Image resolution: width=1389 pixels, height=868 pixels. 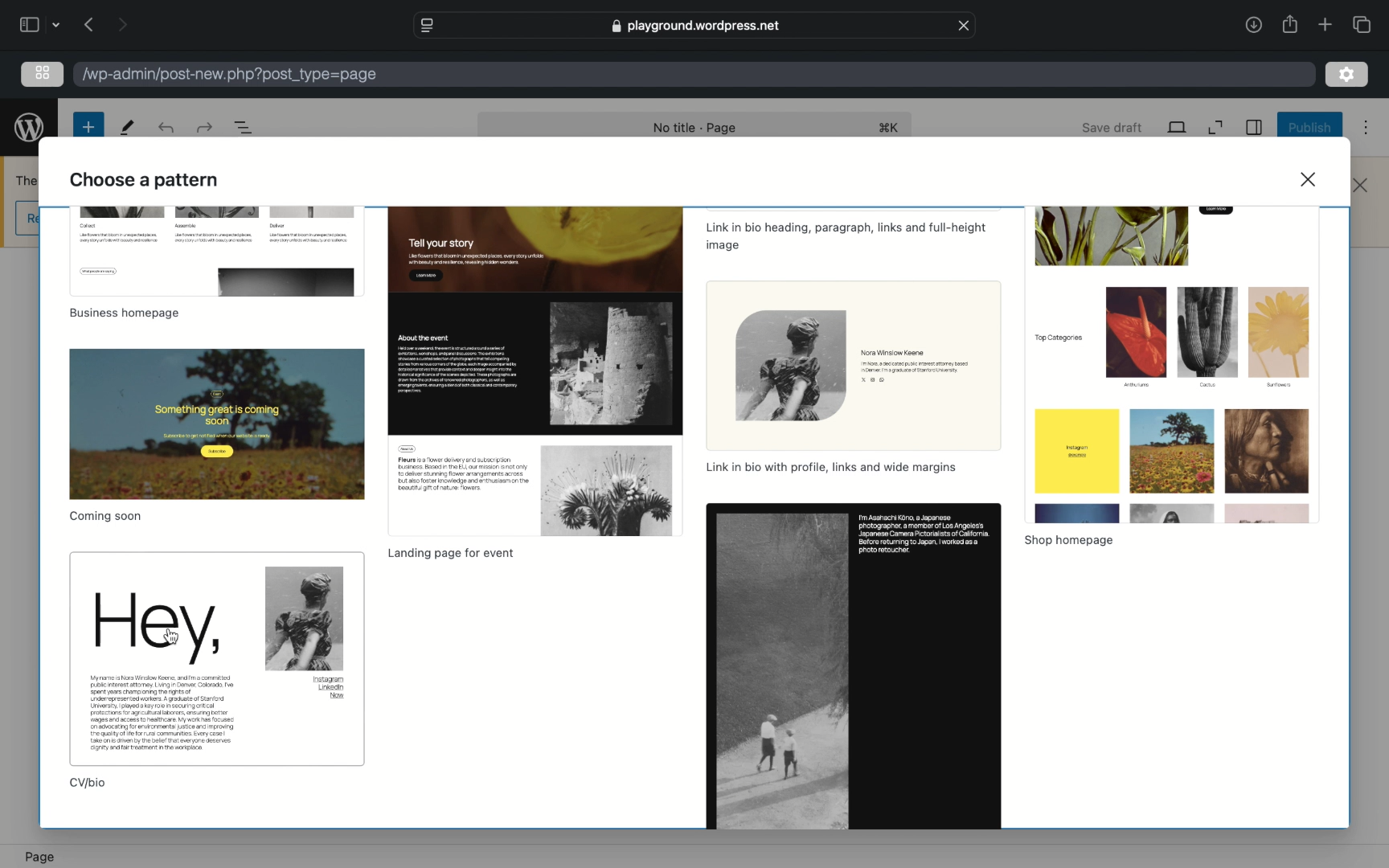 I want to click on expand, so click(x=1215, y=127).